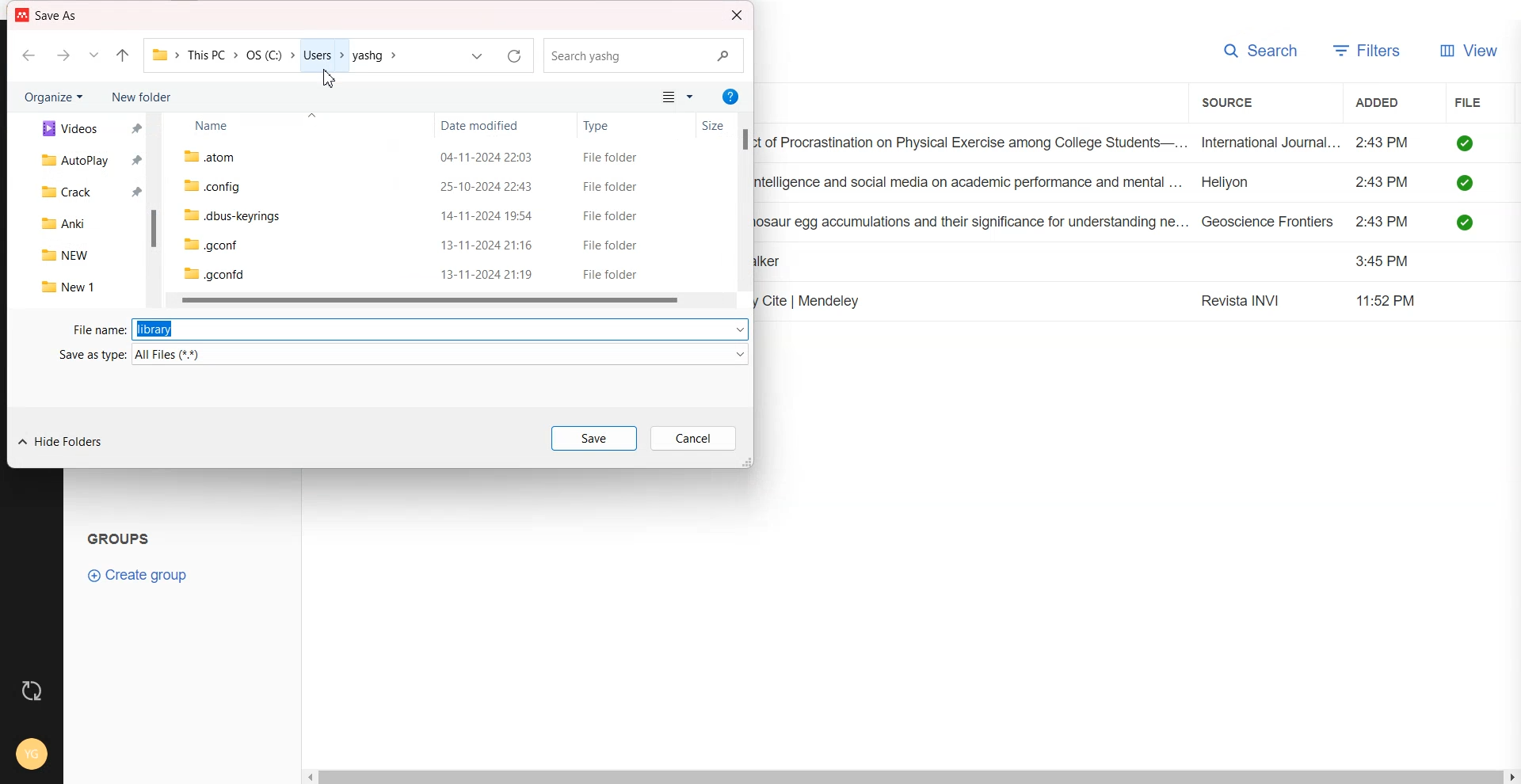 This screenshot has width=1521, height=784. What do you see at coordinates (137, 575) in the screenshot?
I see `Create group` at bounding box center [137, 575].